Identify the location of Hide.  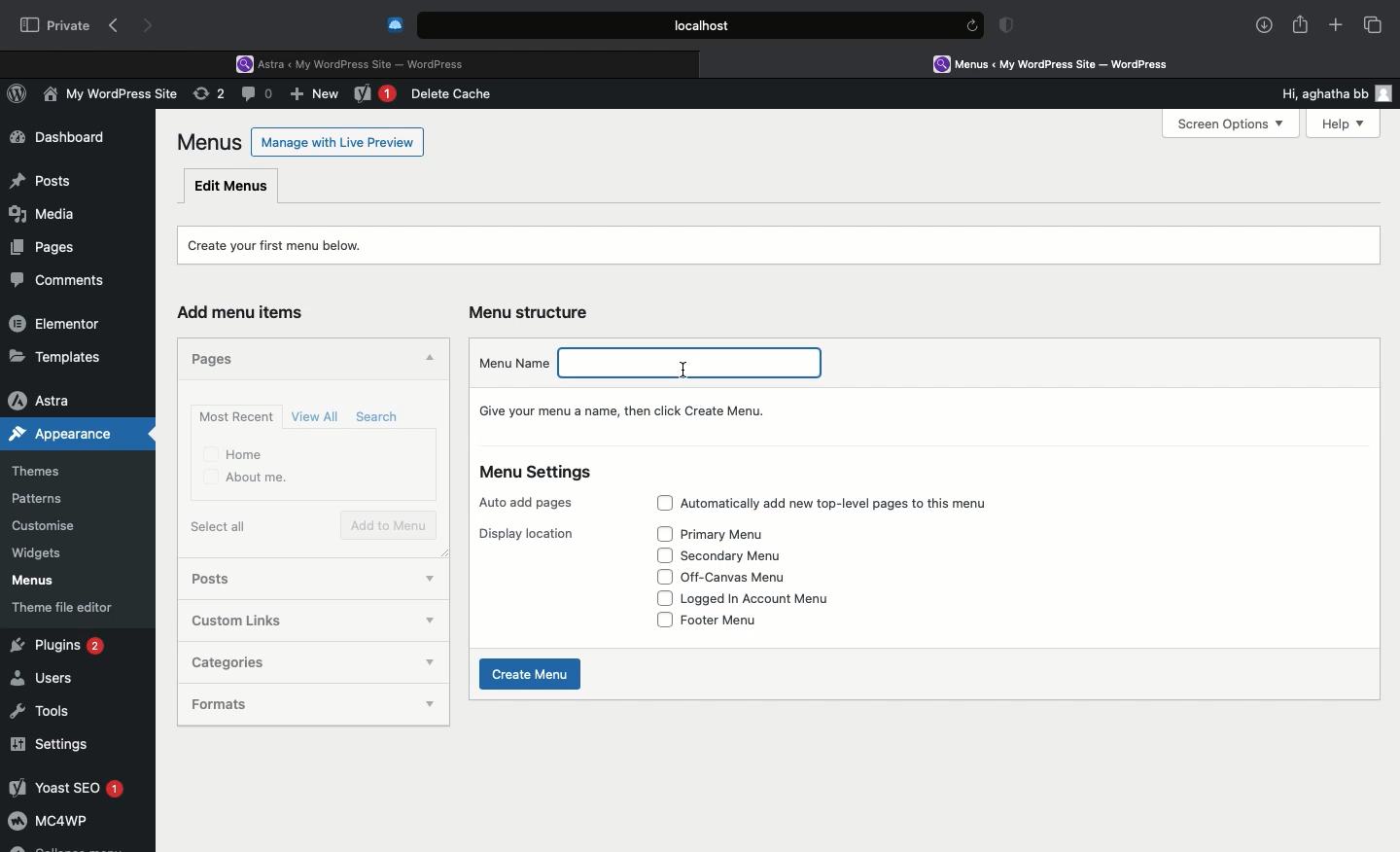
(427, 360).